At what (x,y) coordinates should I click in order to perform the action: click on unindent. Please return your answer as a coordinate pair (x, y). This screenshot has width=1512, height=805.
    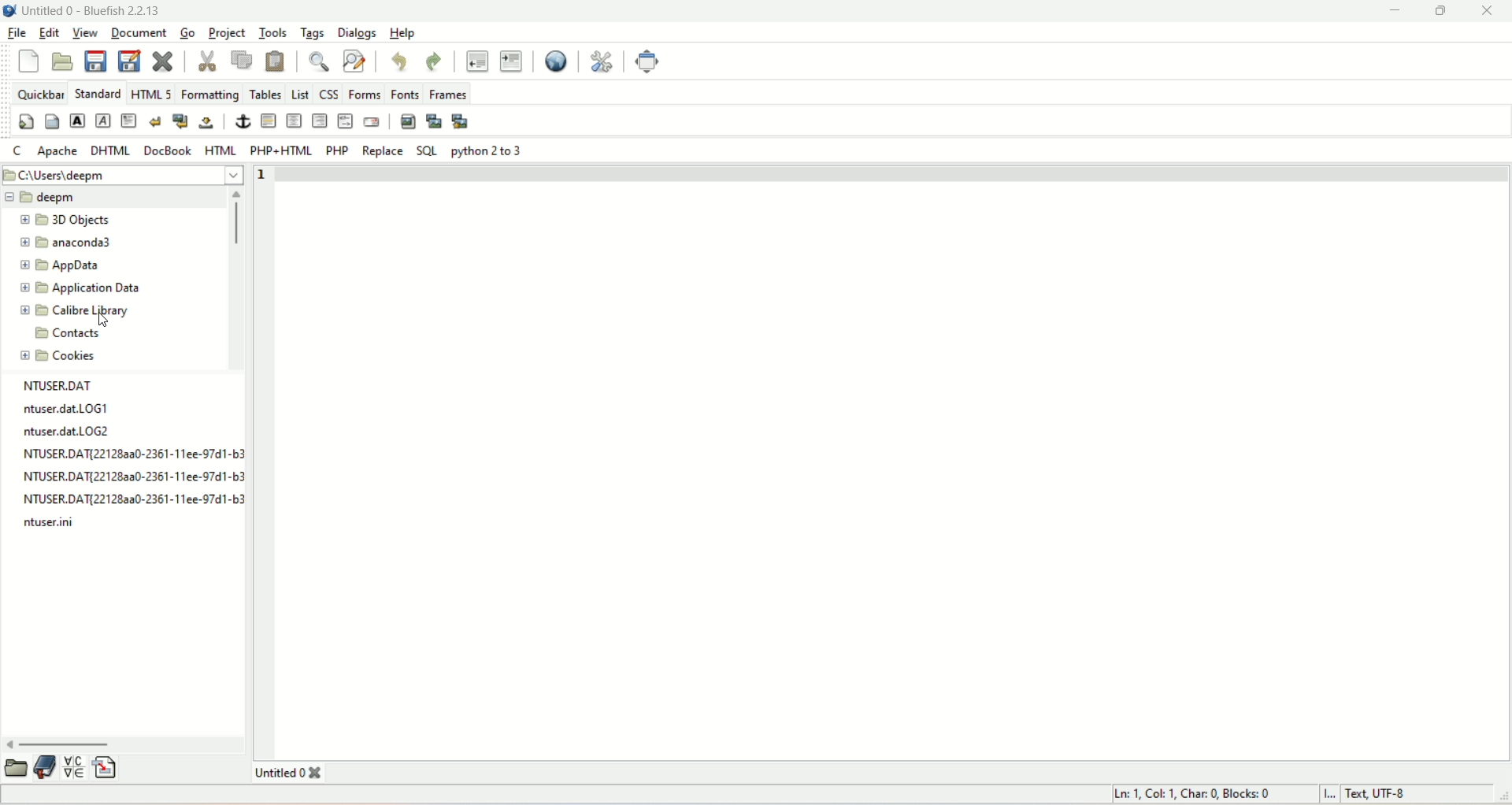
    Looking at the image, I should click on (476, 60).